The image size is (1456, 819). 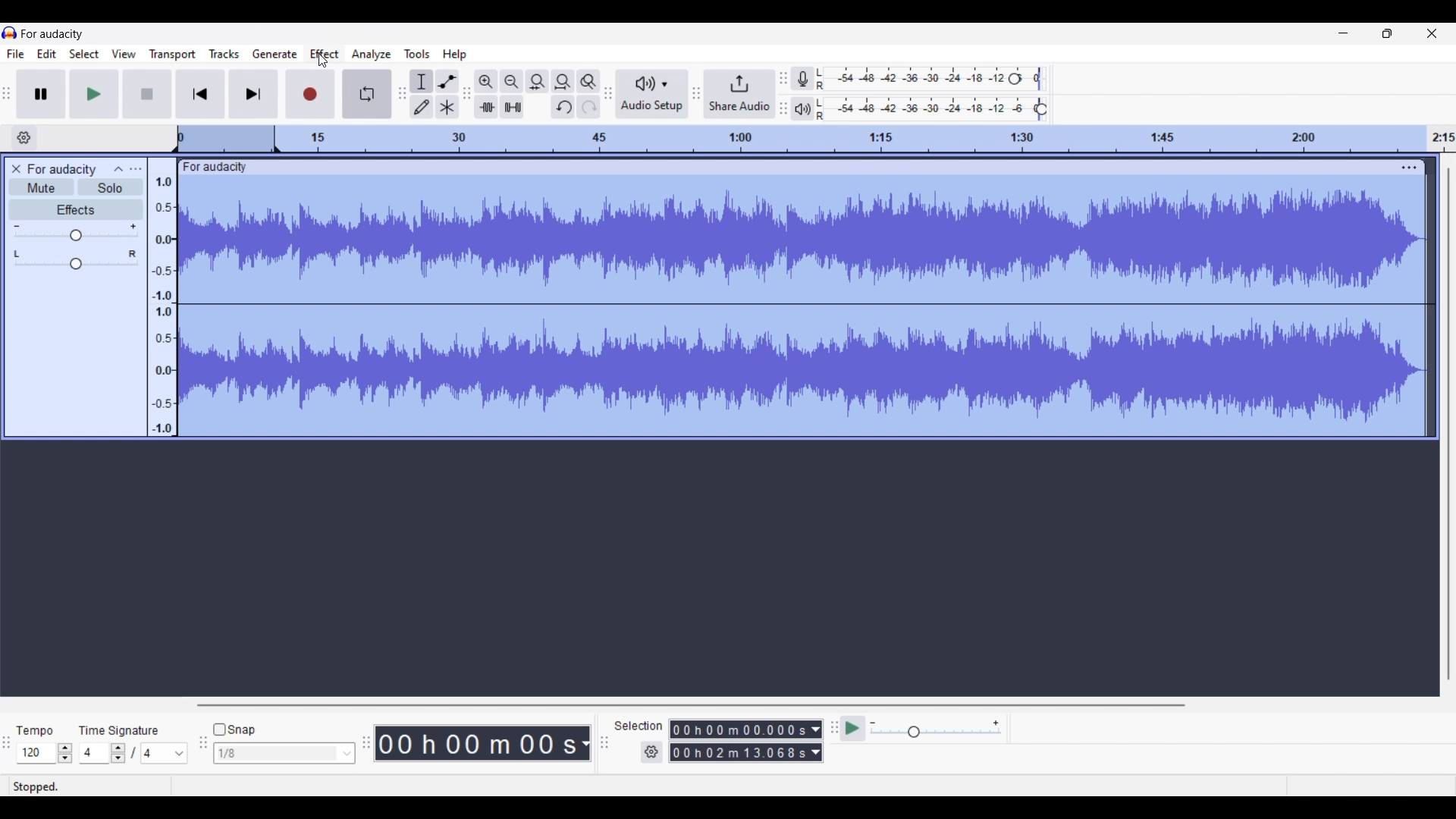 I want to click on Playback meter, so click(x=803, y=109).